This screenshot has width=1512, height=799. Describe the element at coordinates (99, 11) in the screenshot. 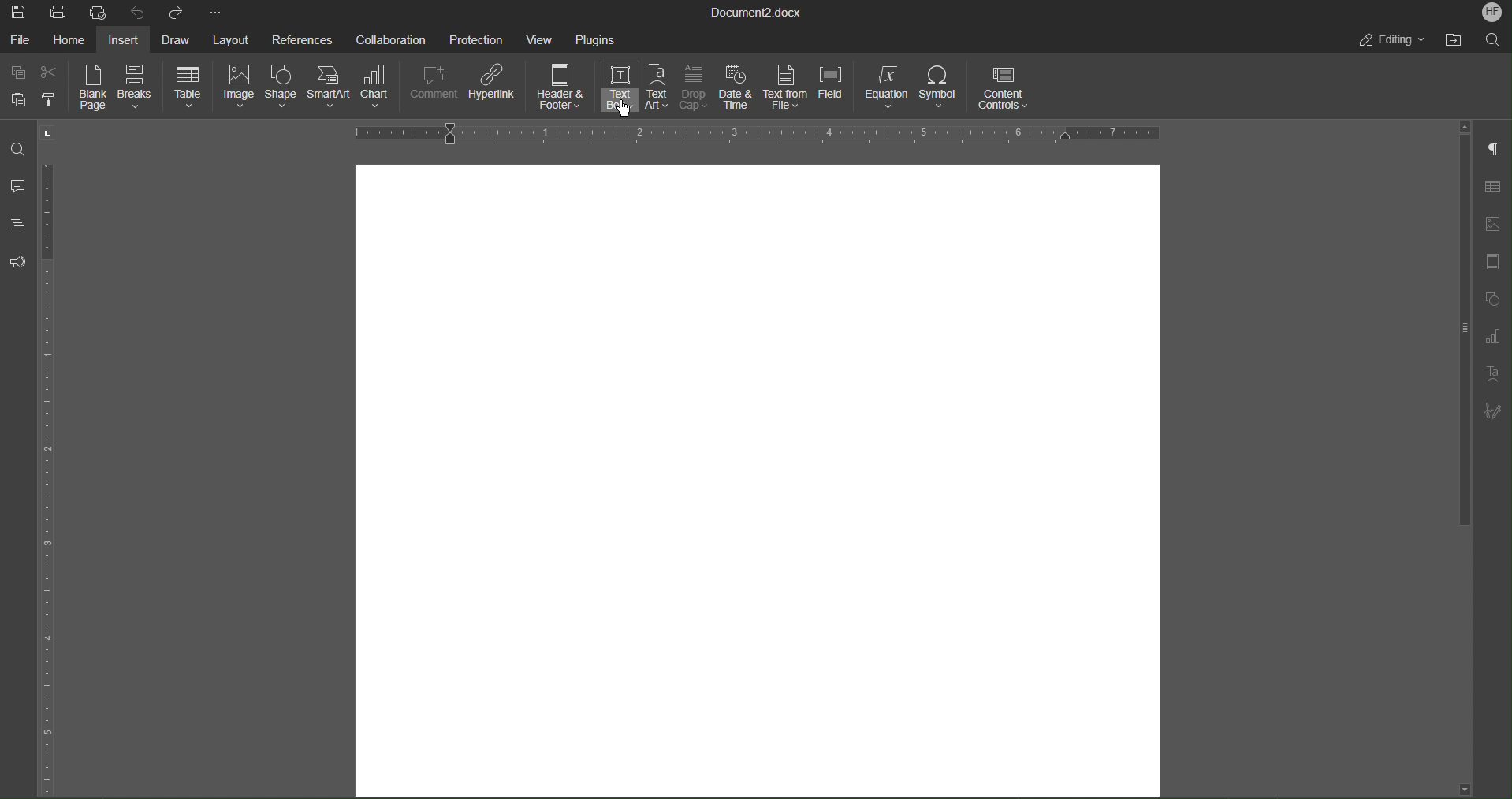

I see `Quick Print` at that location.